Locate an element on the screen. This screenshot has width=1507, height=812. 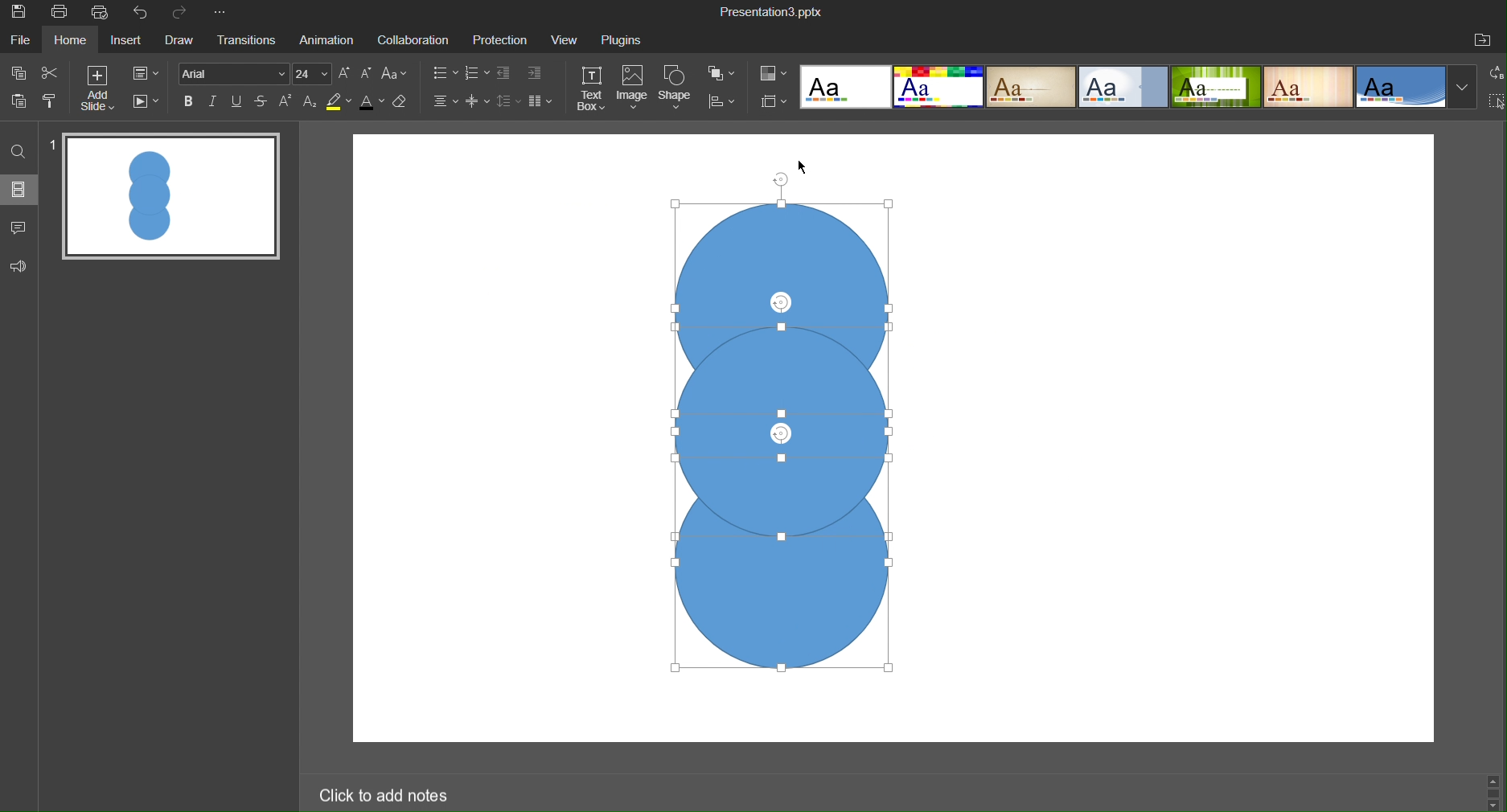
Decrease size is located at coordinates (367, 72).